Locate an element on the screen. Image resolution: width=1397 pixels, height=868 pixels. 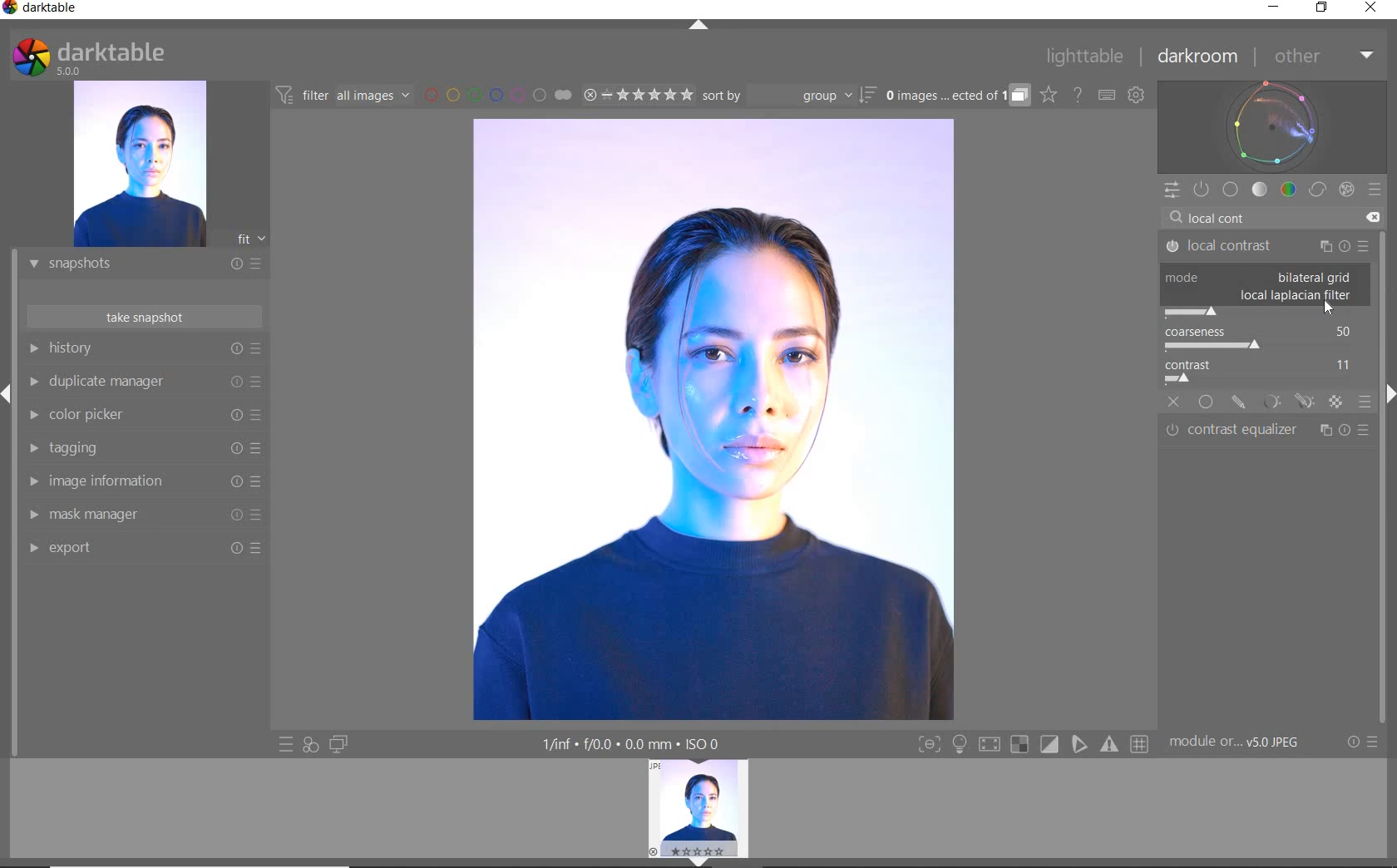
COLOR is located at coordinates (1289, 189).